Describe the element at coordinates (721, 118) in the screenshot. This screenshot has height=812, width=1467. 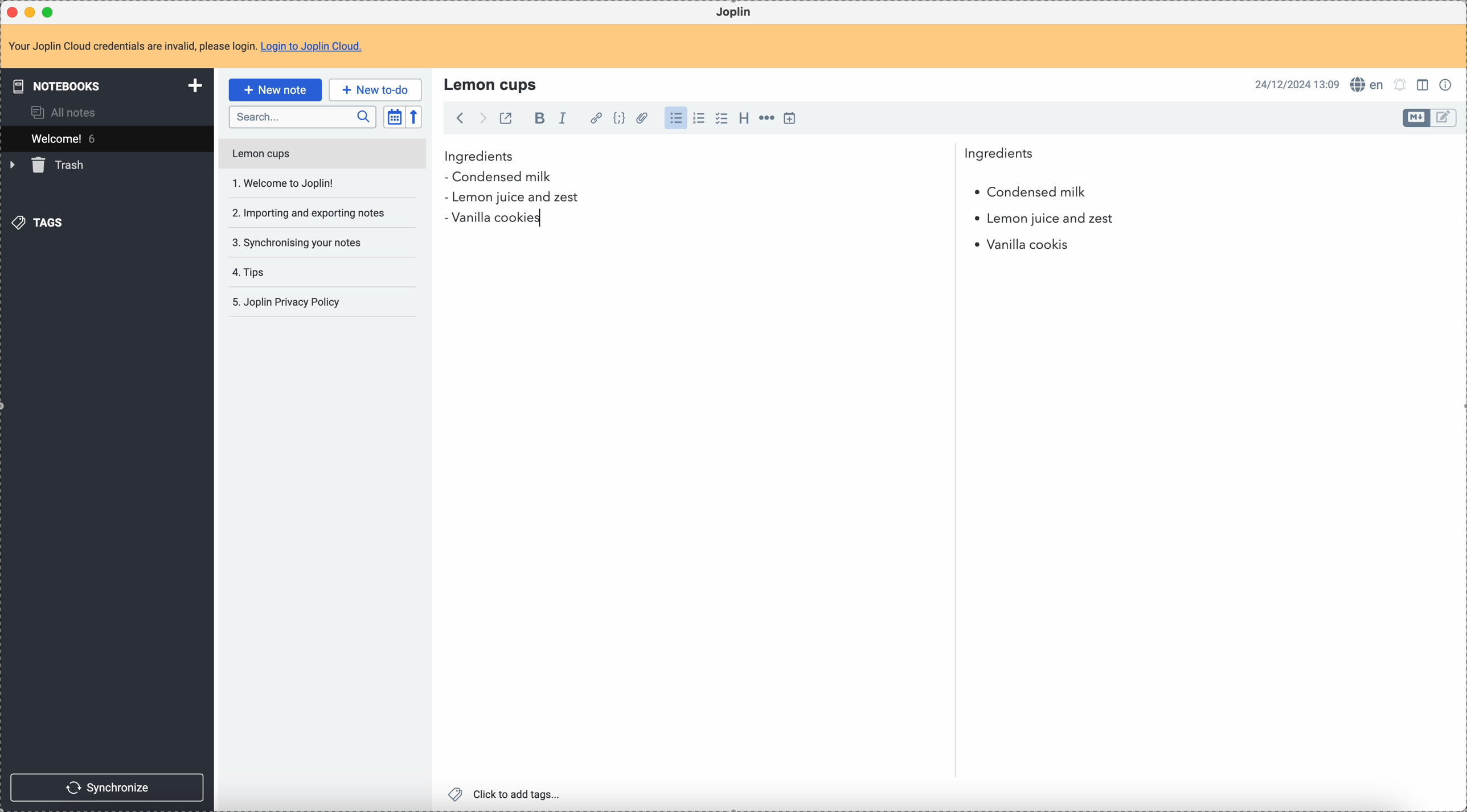
I see `check list` at that location.